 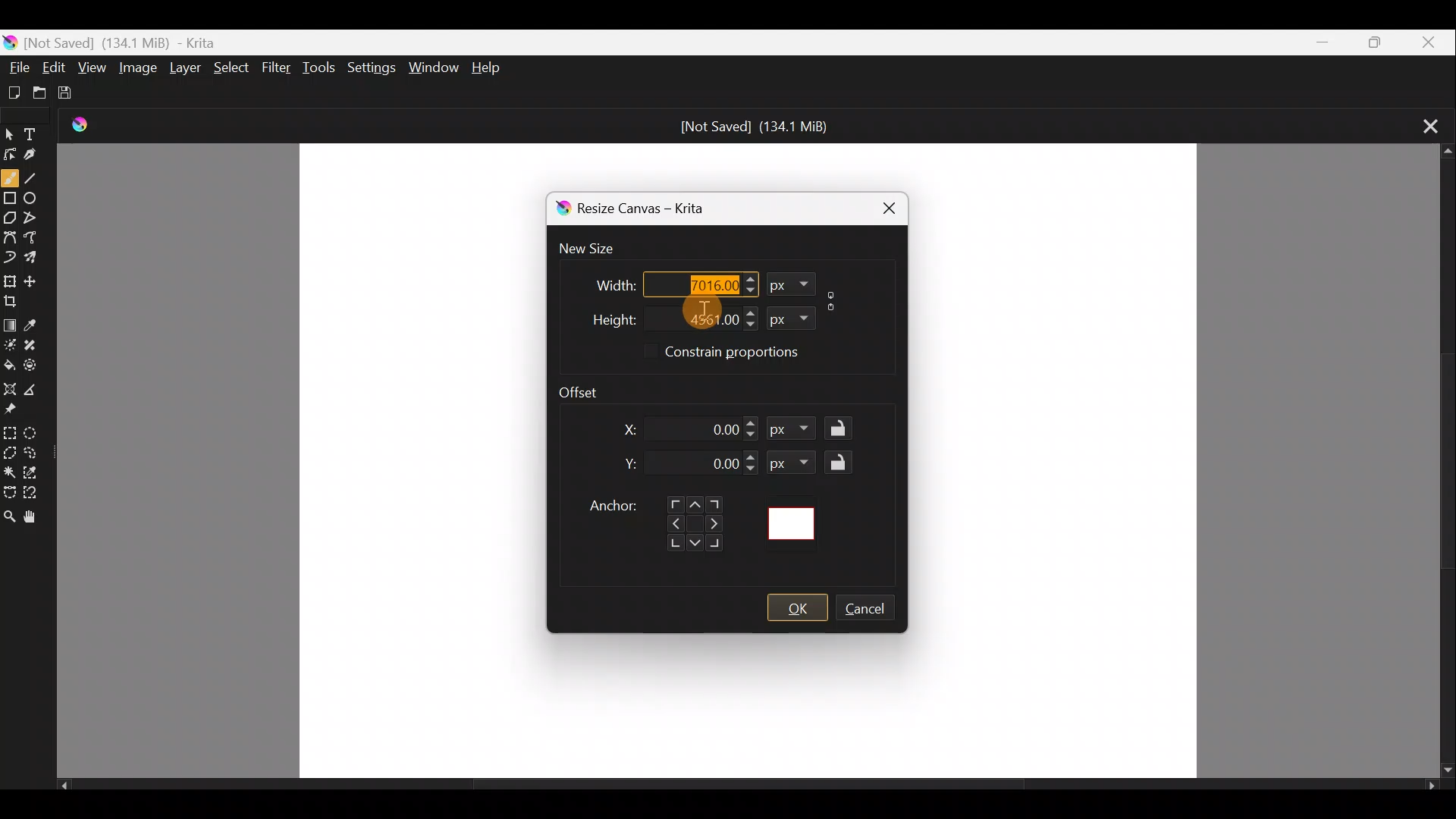 What do you see at coordinates (1314, 42) in the screenshot?
I see `Minimize` at bounding box center [1314, 42].